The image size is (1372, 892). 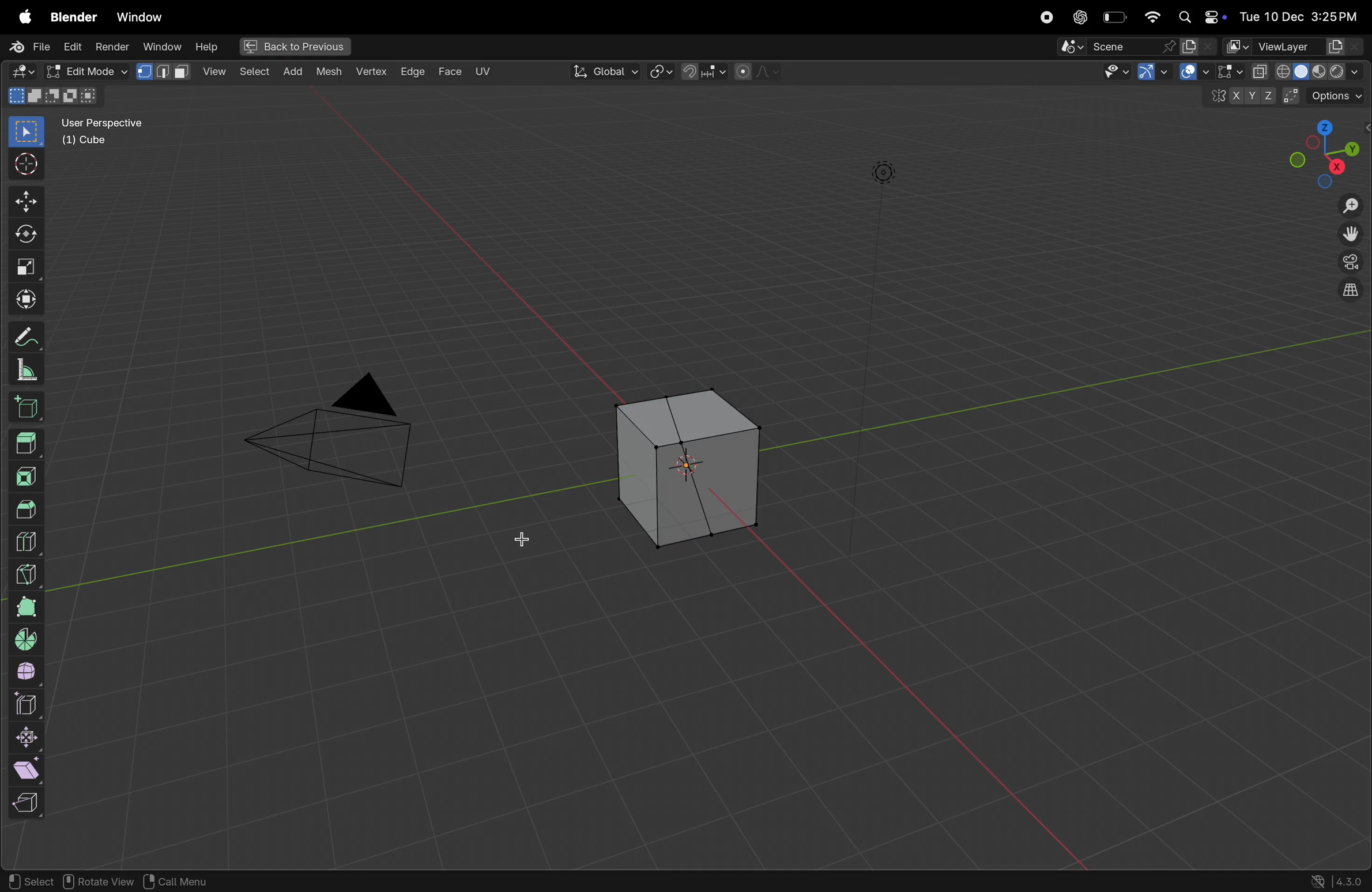 What do you see at coordinates (1349, 207) in the screenshot?
I see `zoom` at bounding box center [1349, 207].